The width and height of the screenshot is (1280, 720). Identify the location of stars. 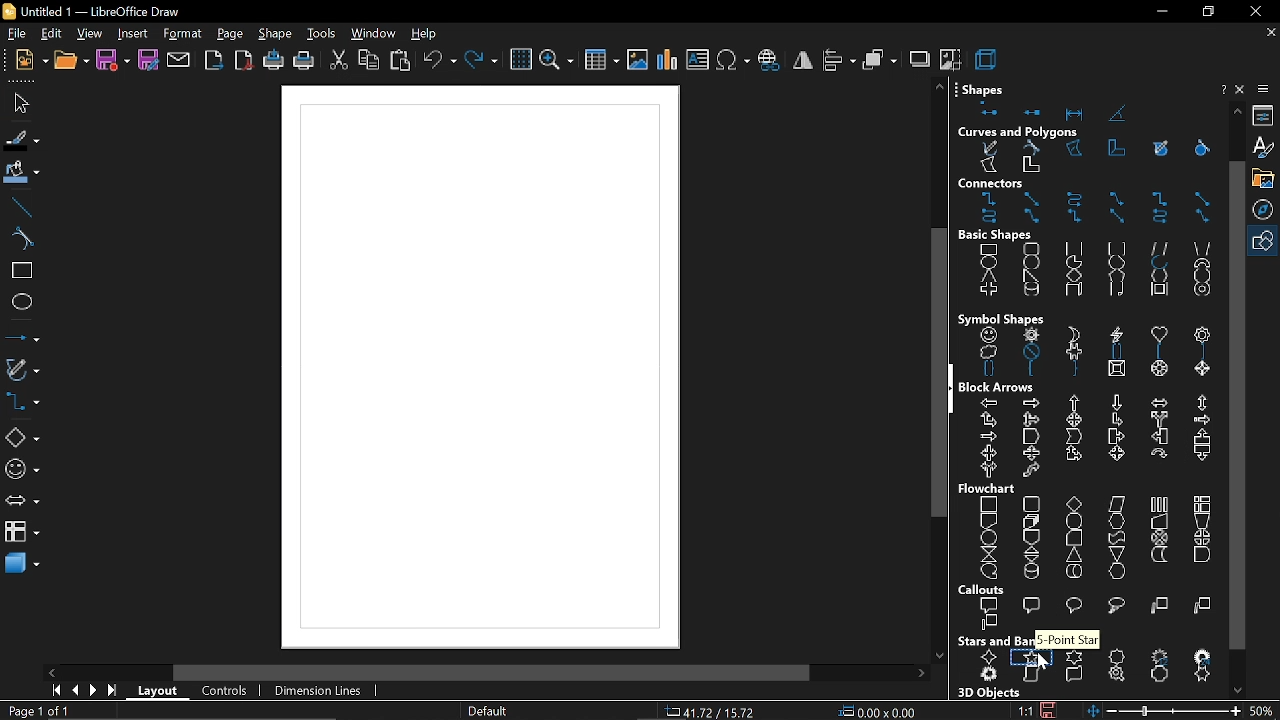
(990, 639).